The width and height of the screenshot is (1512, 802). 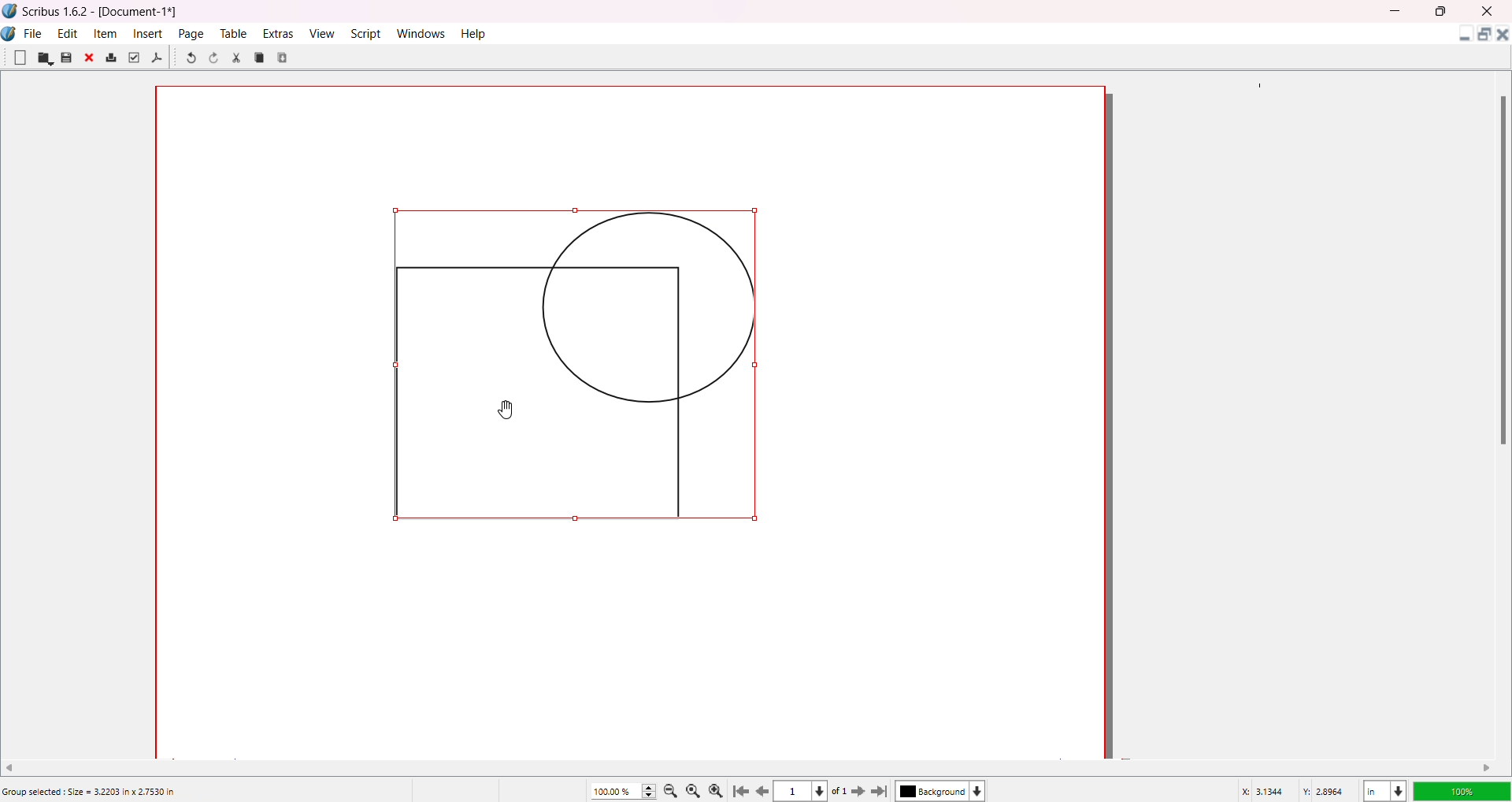 What do you see at coordinates (614, 790) in the screenshot?
I see `Zoom percentage` at bounding box center [614, 790].